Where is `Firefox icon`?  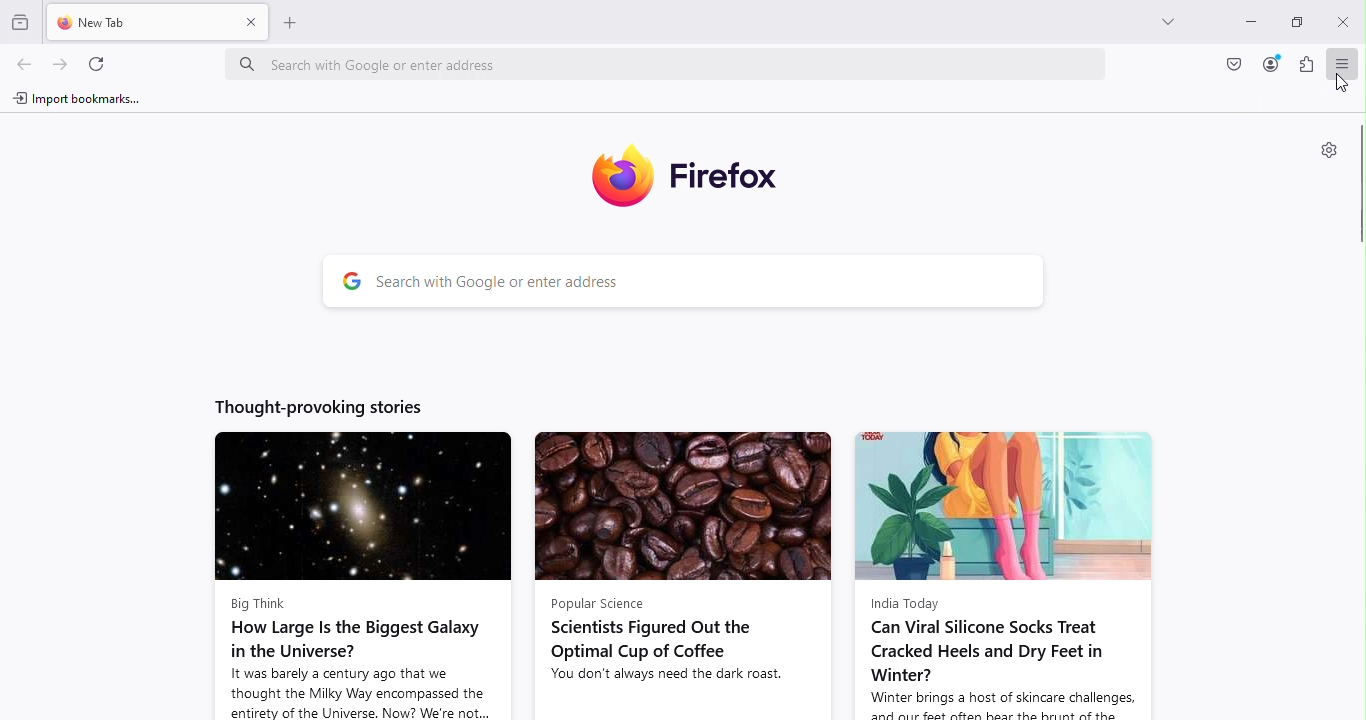
Firefox icon is located at coordinates (691, 173).